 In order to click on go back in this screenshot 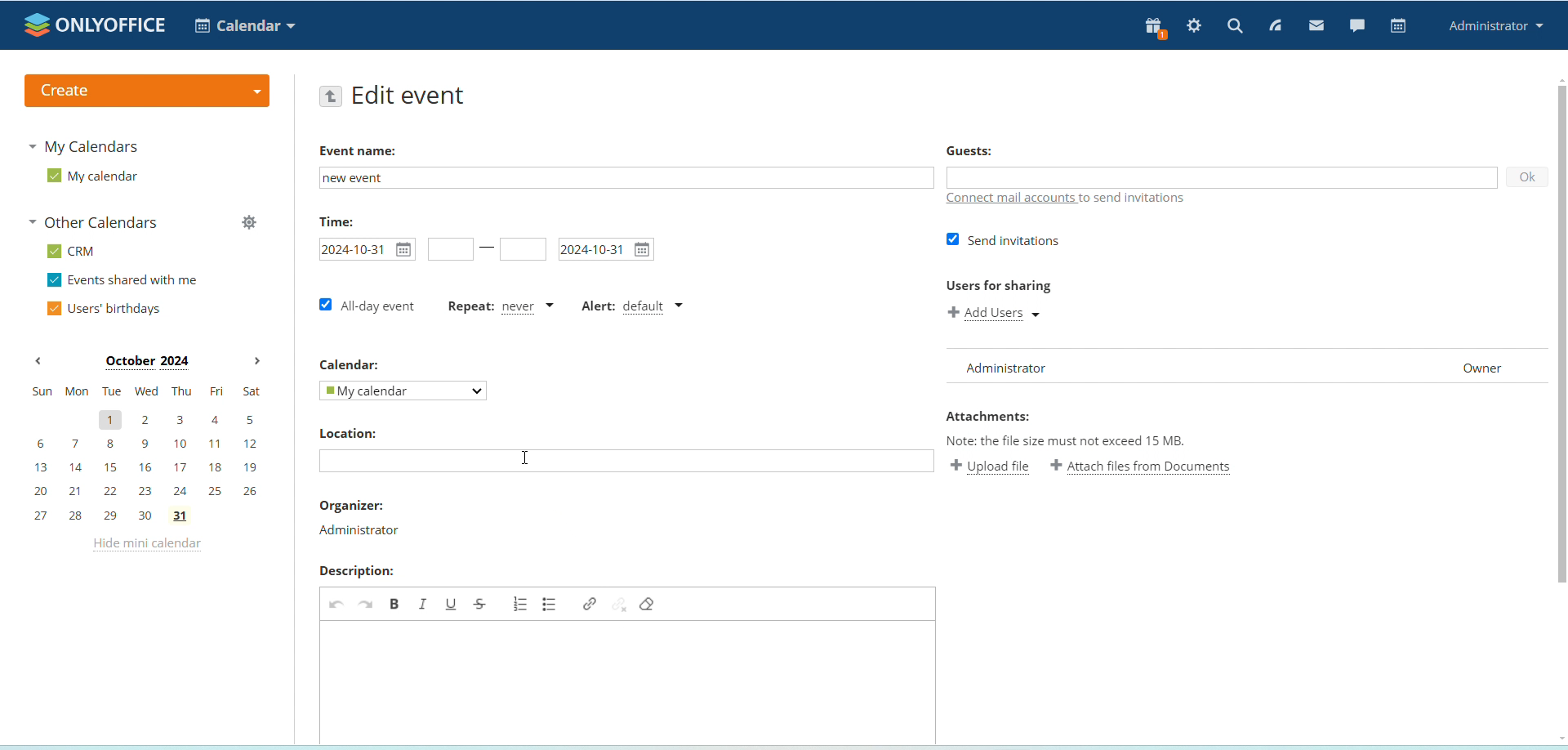, I will do `click(331, 97)`.